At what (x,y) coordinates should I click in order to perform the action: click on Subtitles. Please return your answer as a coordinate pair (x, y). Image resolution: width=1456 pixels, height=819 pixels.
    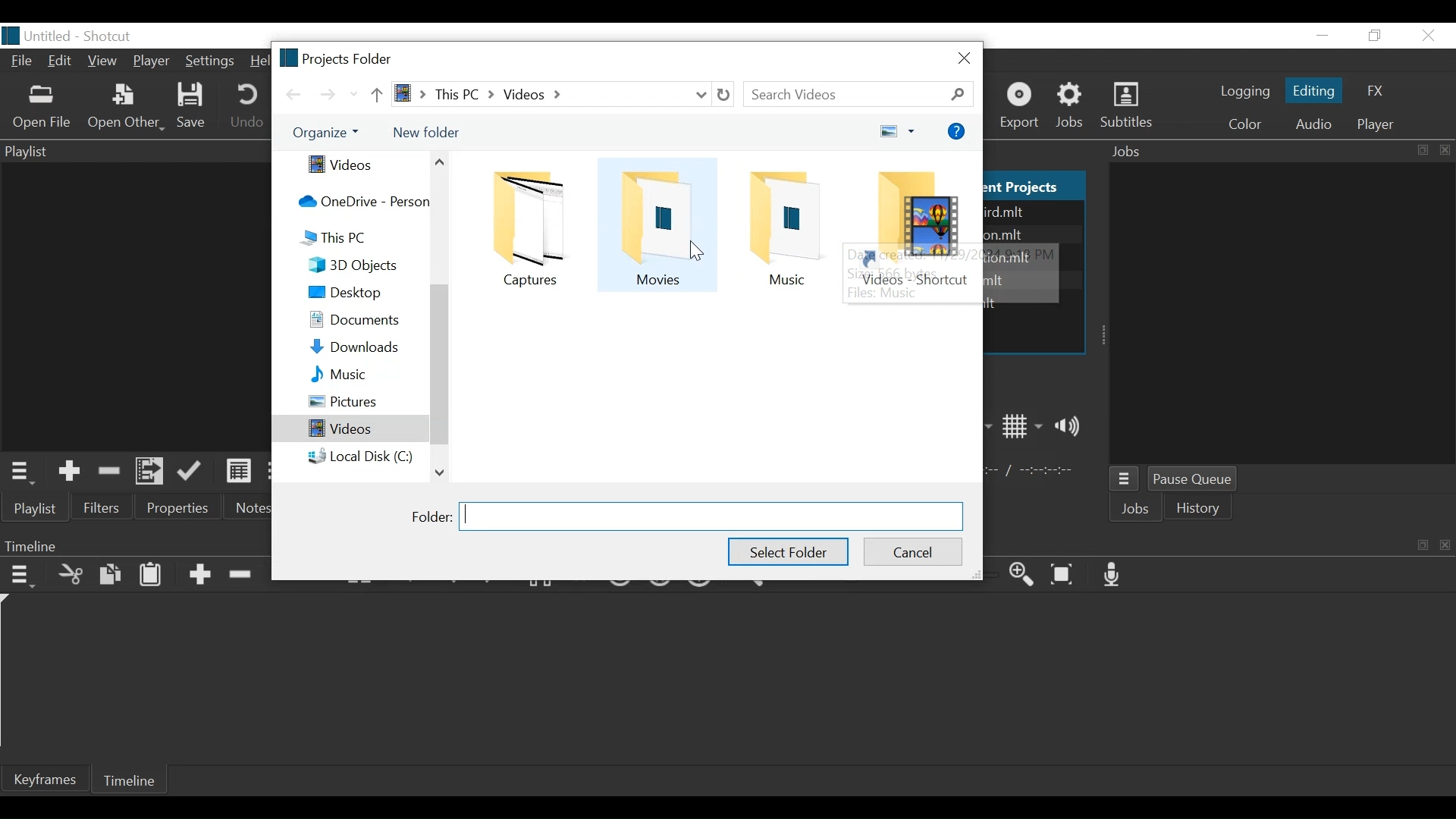
    Looking at the image, I should click on (1126, 106).